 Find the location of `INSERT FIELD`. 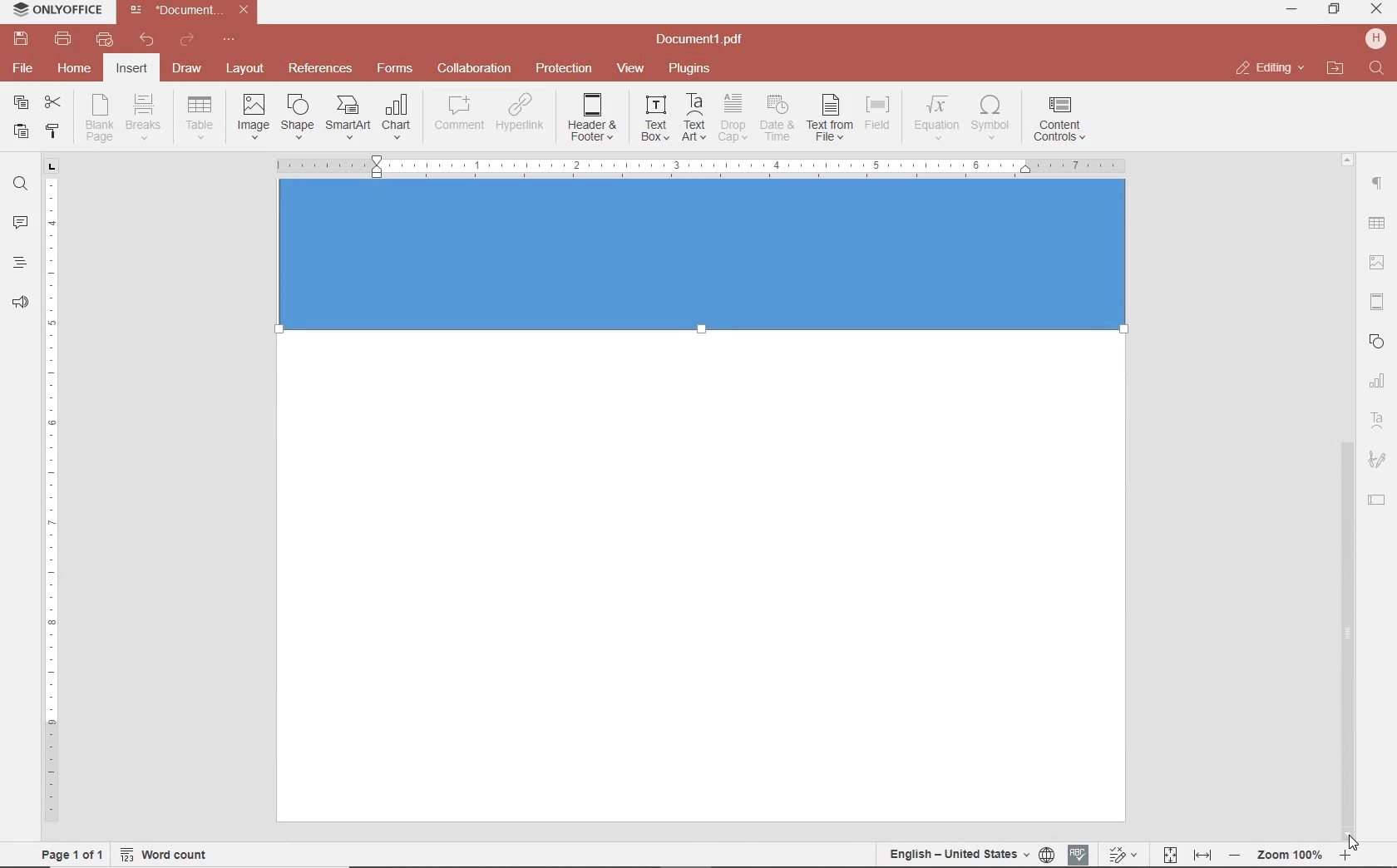

INSERT FIELD is located at coordinates (879, 113).